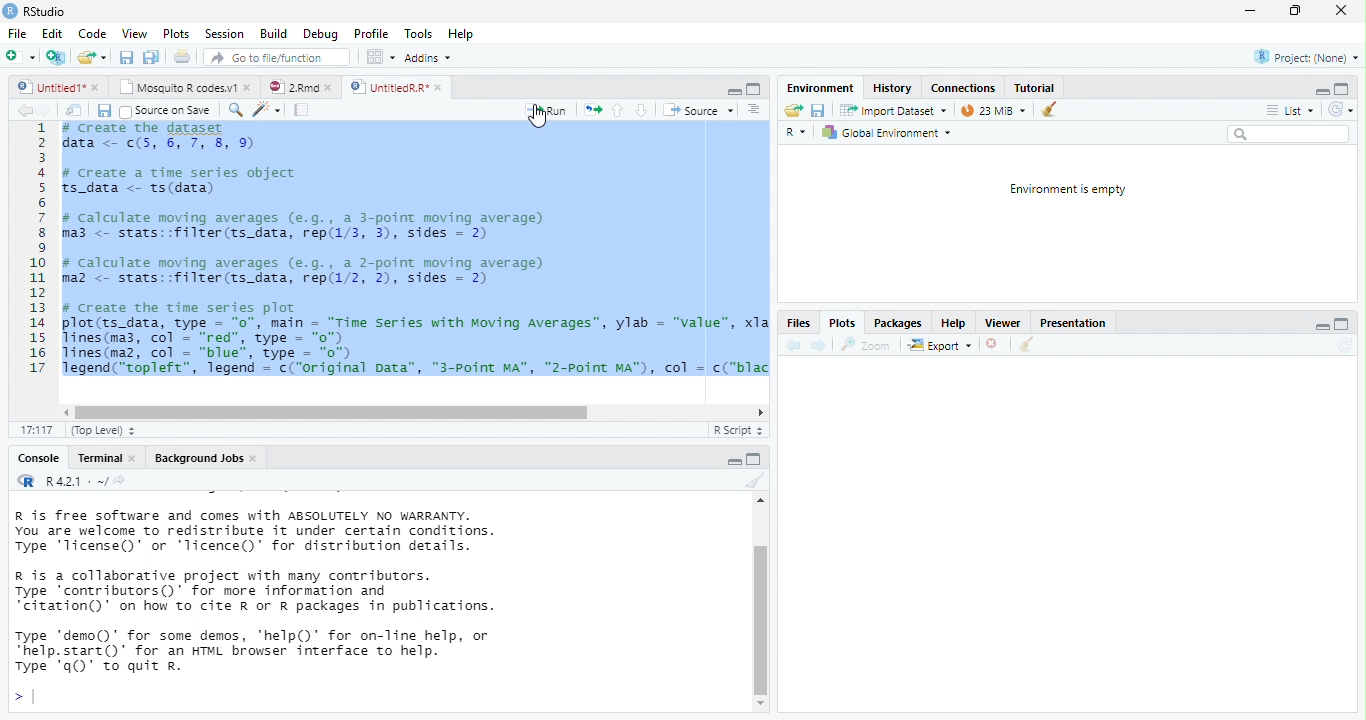 This screenshot has height=720, width=1366. Describe the element at coordinates (291, 87) in the screenshot. I see `2Rmd` at that location.